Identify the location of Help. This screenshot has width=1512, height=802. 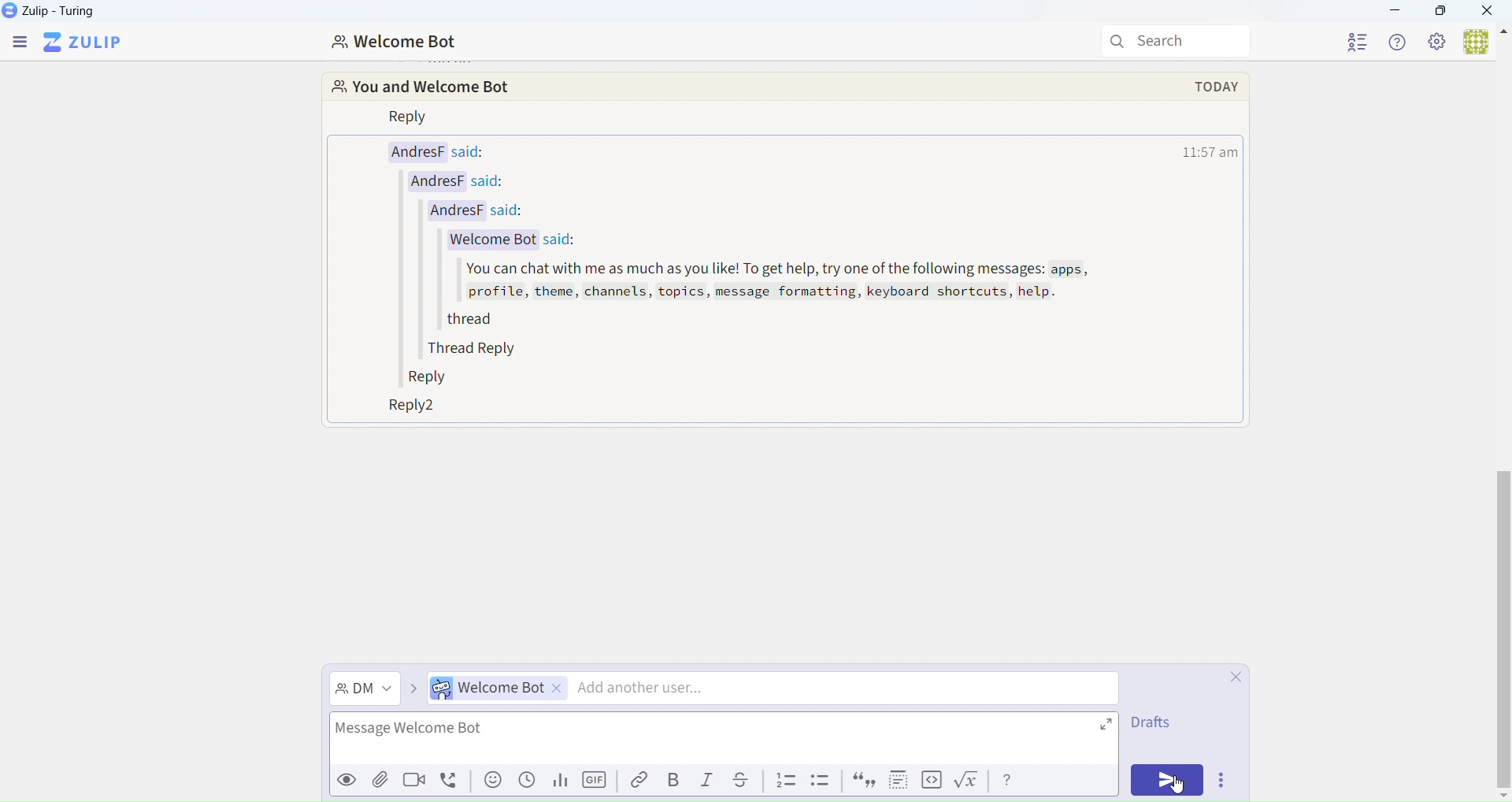
(1395, 43).